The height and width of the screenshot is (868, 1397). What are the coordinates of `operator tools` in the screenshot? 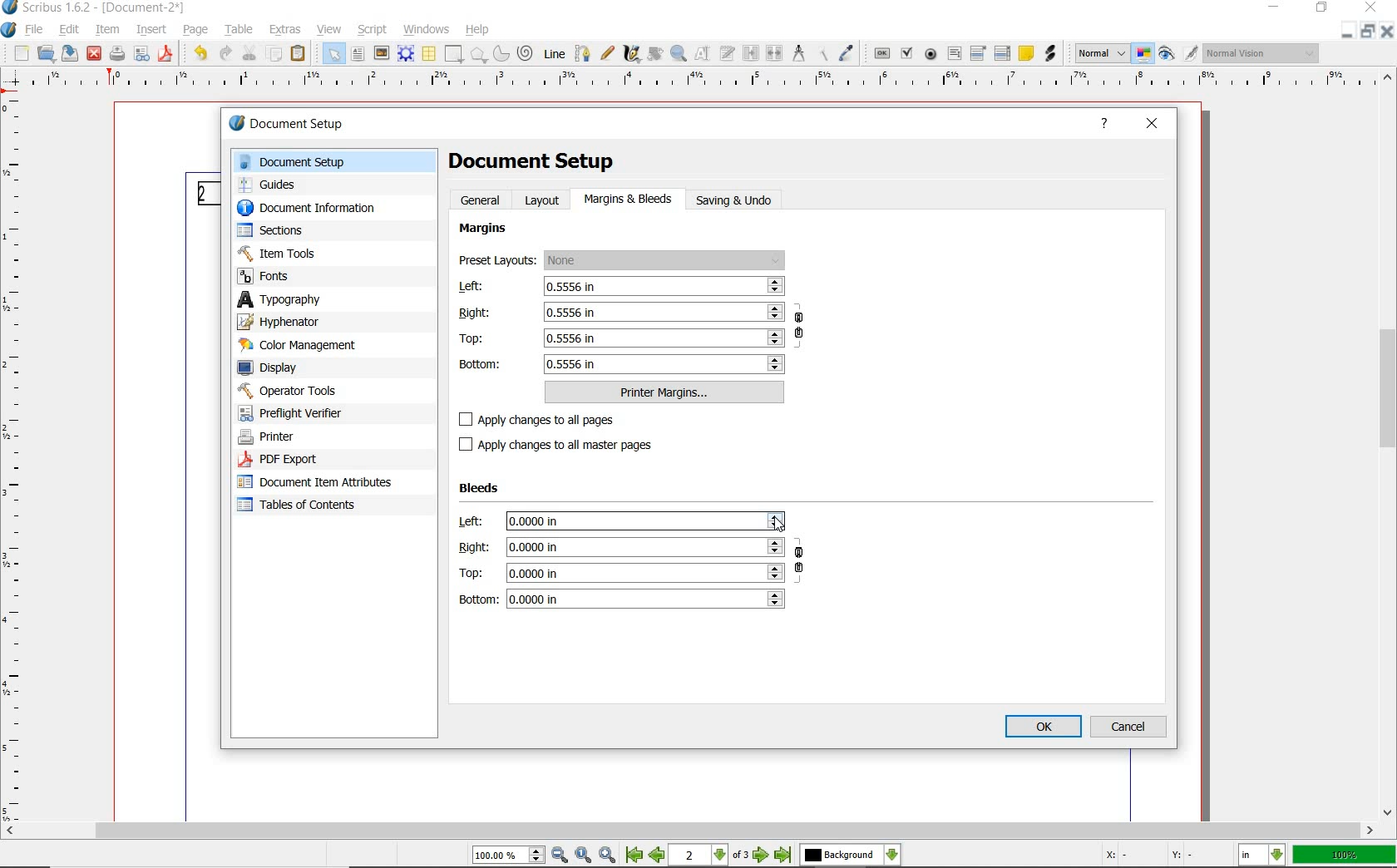 It's located at (324, 391).